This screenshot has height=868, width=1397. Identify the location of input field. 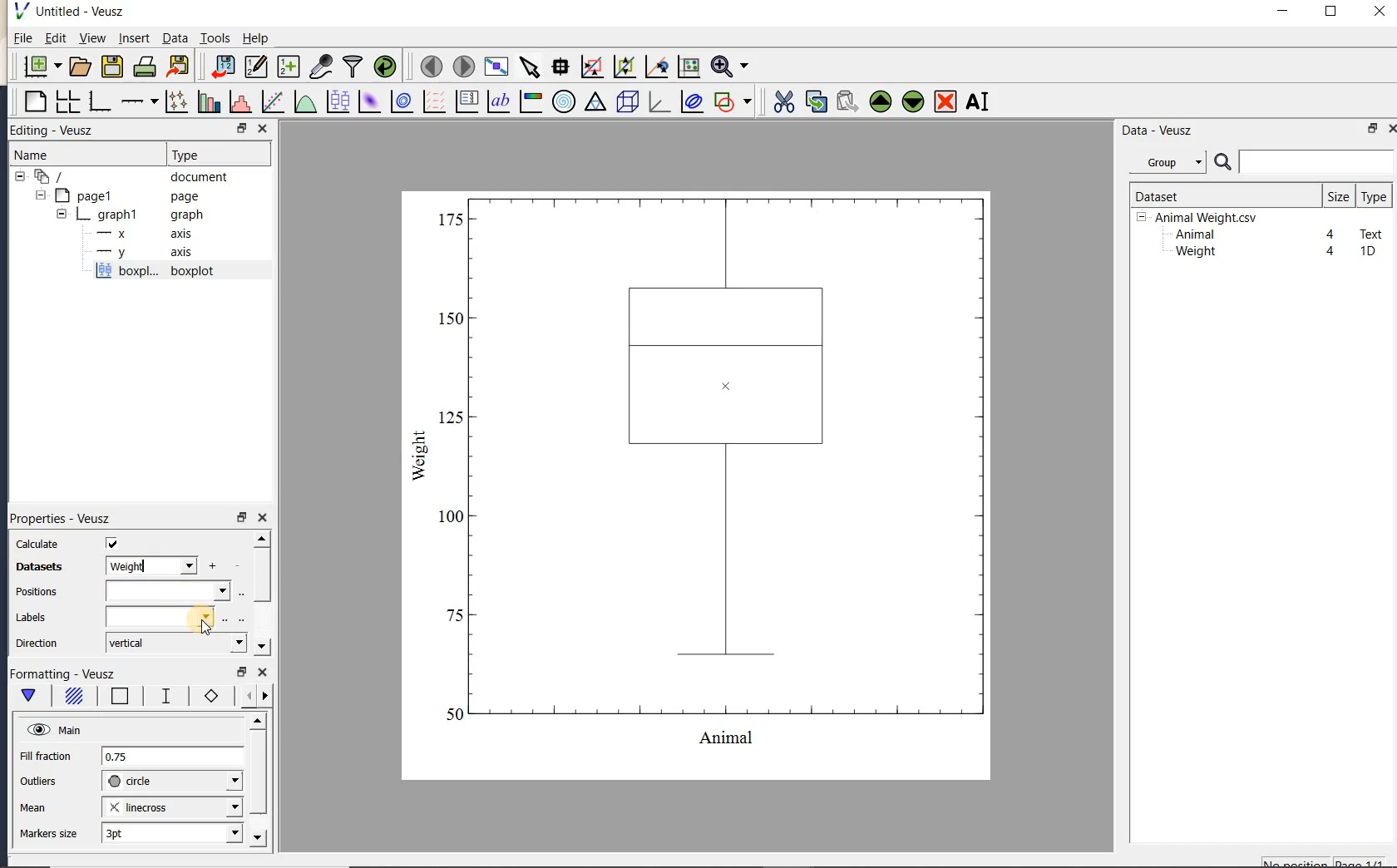
(167, 591).